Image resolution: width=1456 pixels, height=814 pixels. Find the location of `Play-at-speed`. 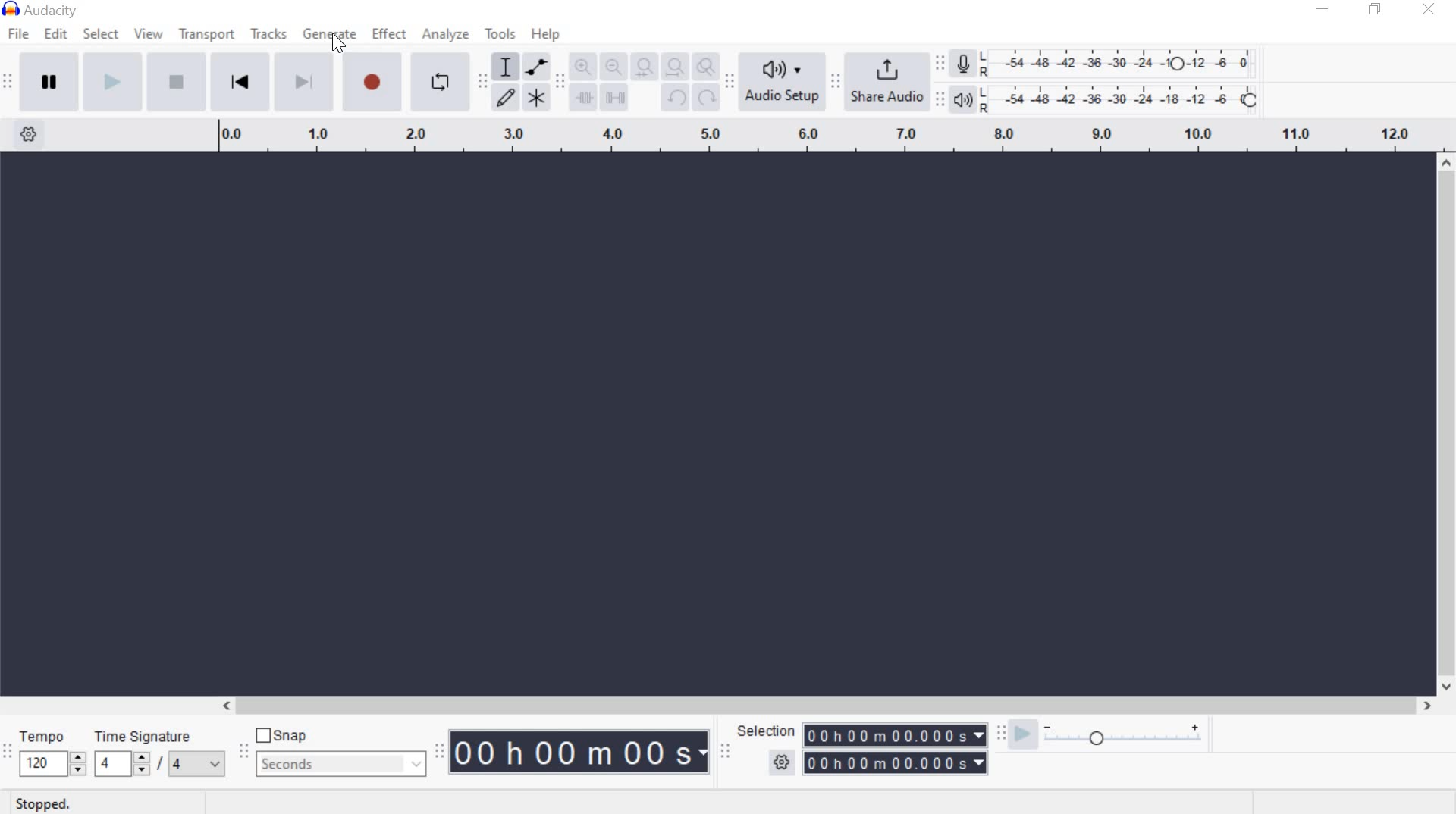

Play-at-speed is located at coordinates (1022, 735).